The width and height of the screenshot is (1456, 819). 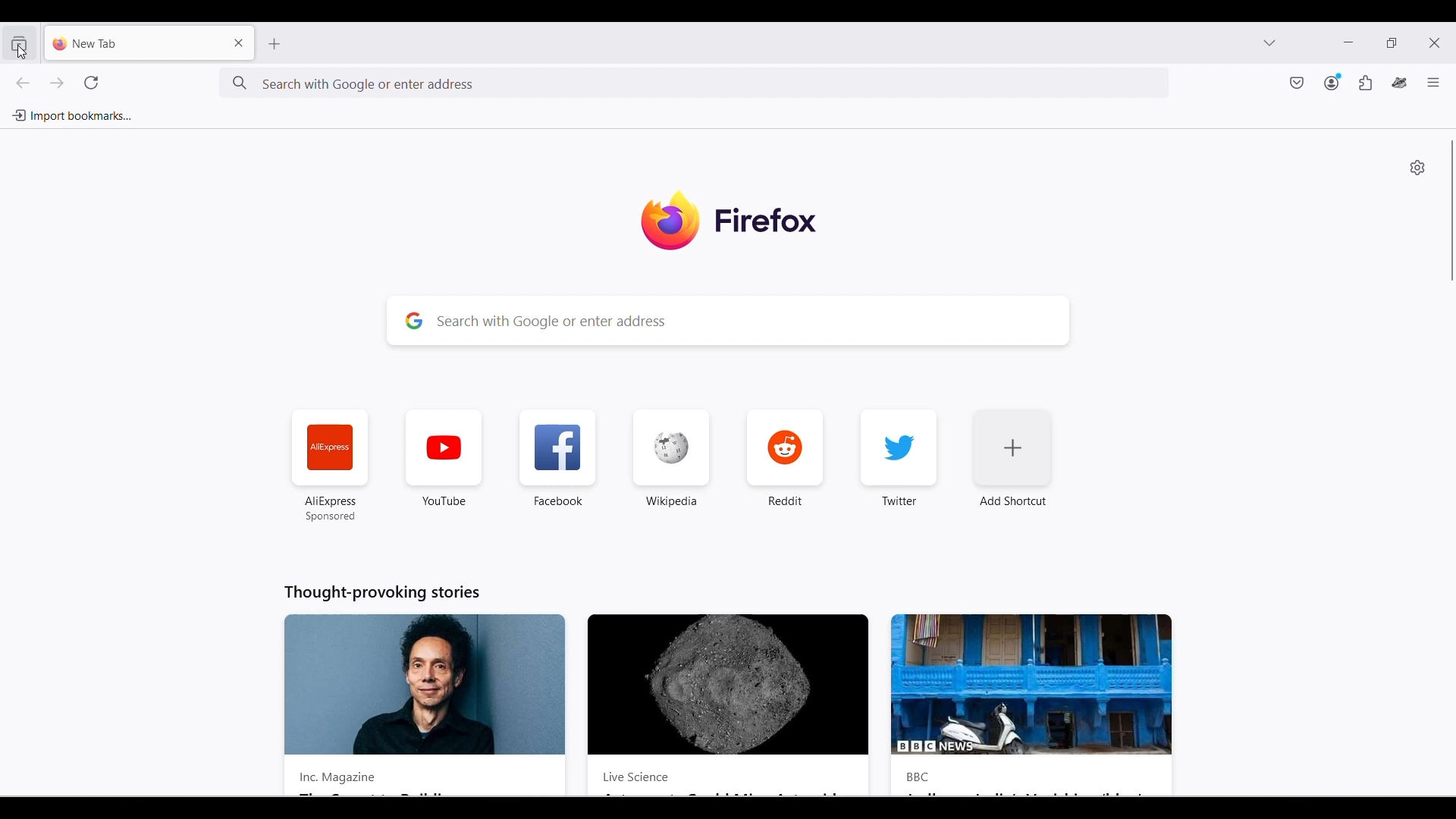 I want to click on Reload current page, so click(x=91, y=83).